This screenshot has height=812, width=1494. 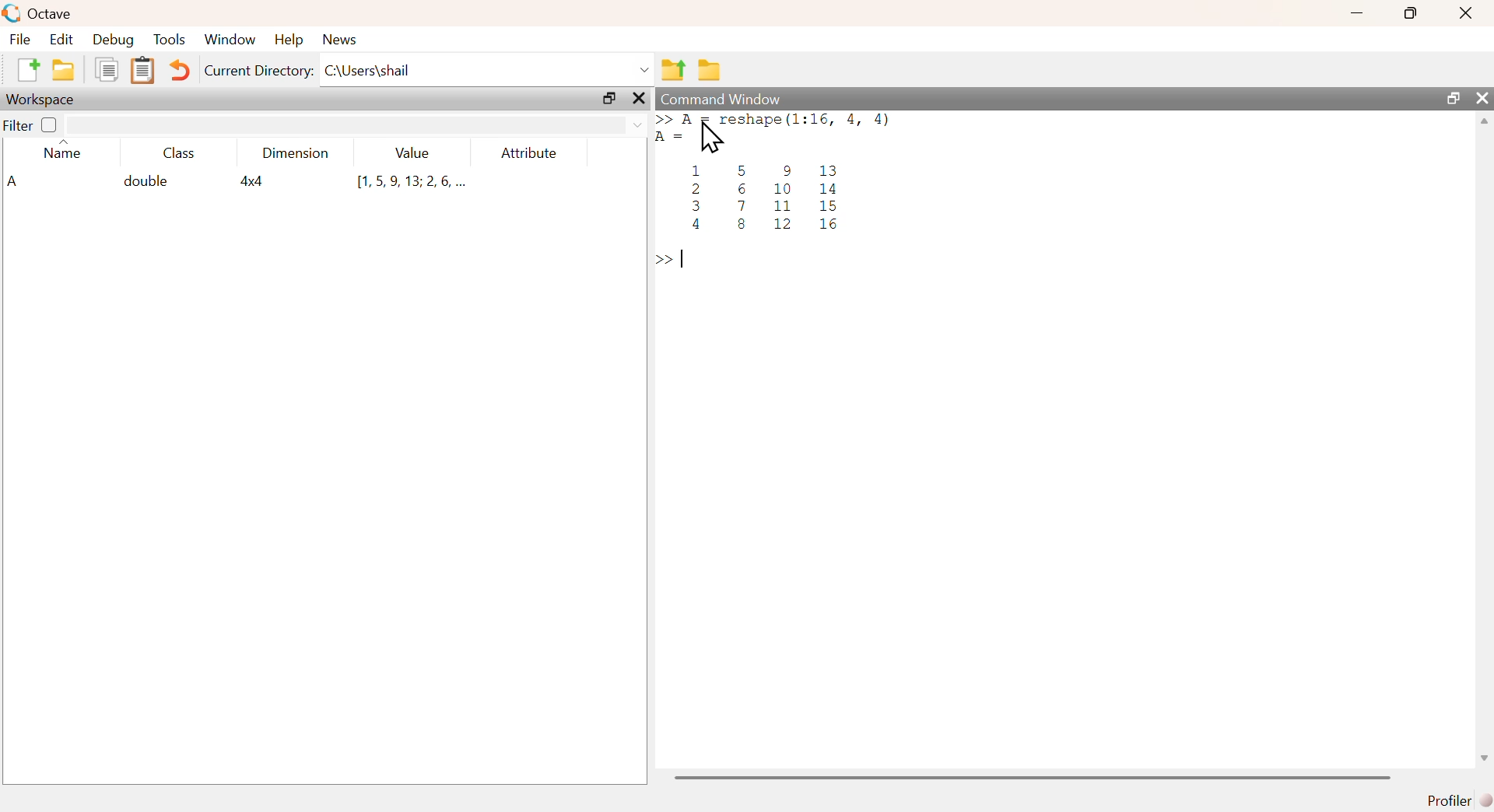 I want to click on commands, so click(x=816, y=193).